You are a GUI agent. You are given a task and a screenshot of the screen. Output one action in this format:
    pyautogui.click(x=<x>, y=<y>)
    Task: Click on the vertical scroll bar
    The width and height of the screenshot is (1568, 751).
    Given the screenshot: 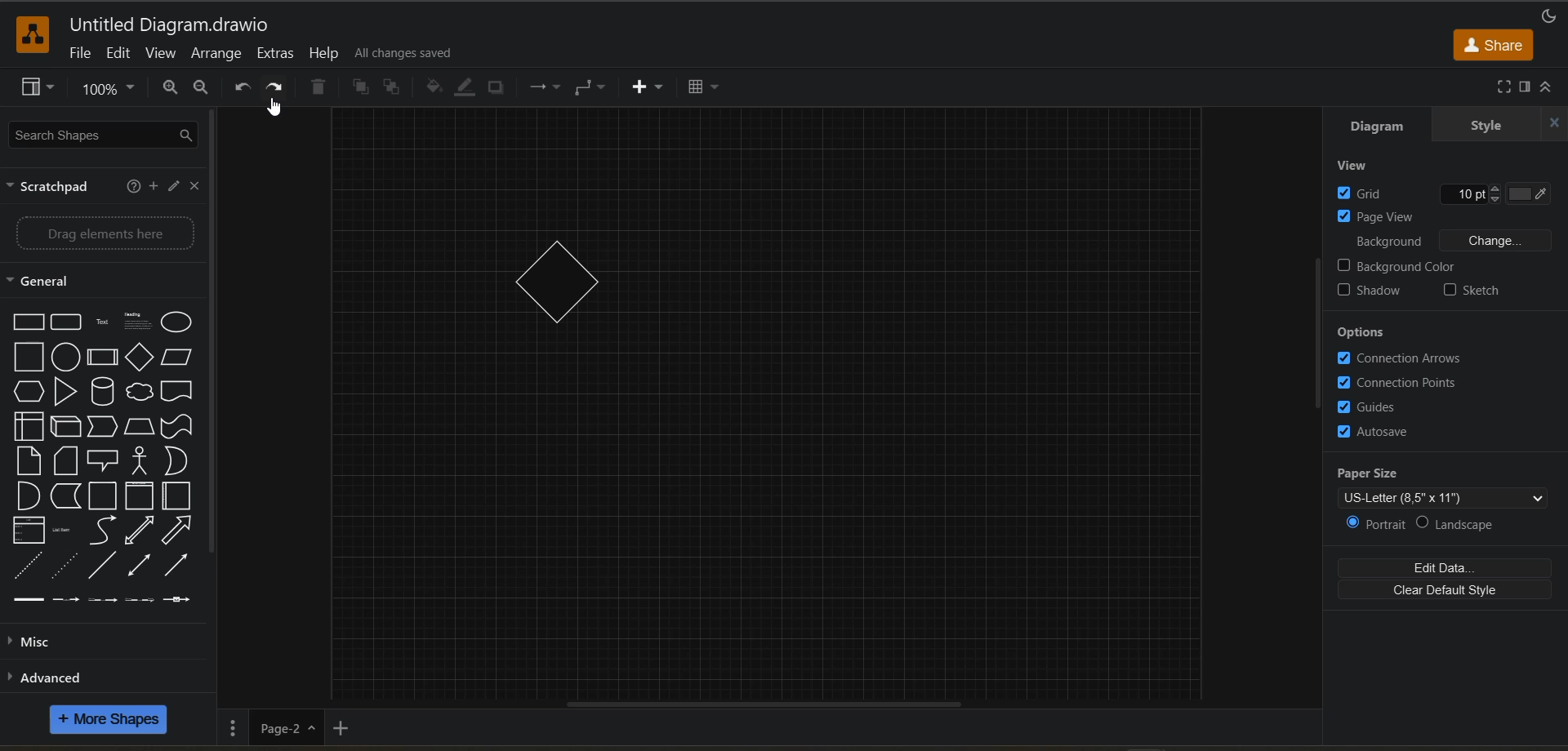 What is the action you would take?
    pyautogui.click(x=1322, y=332)
    